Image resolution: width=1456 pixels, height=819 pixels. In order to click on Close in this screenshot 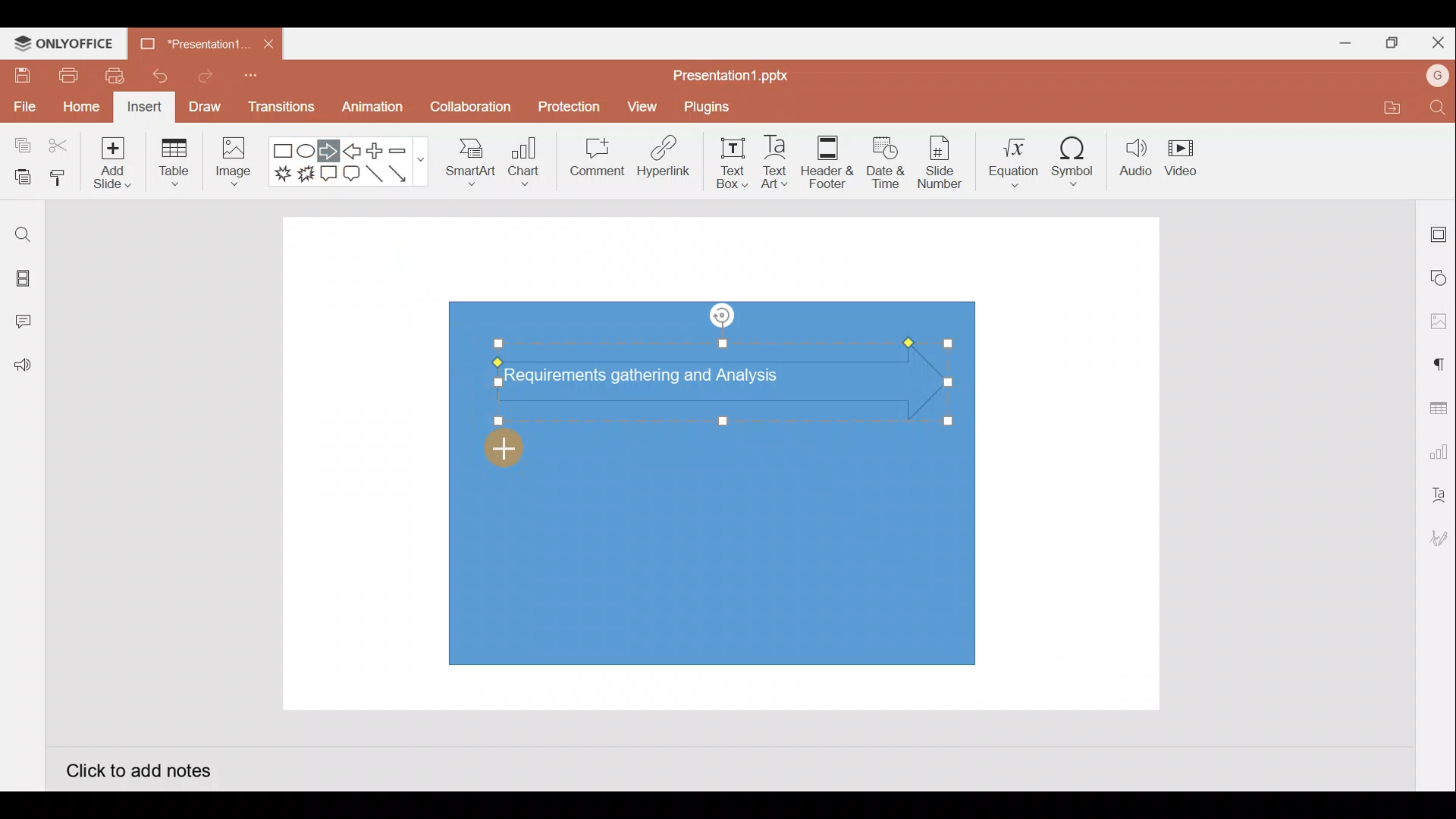, I will do `click(1435, 39)`.